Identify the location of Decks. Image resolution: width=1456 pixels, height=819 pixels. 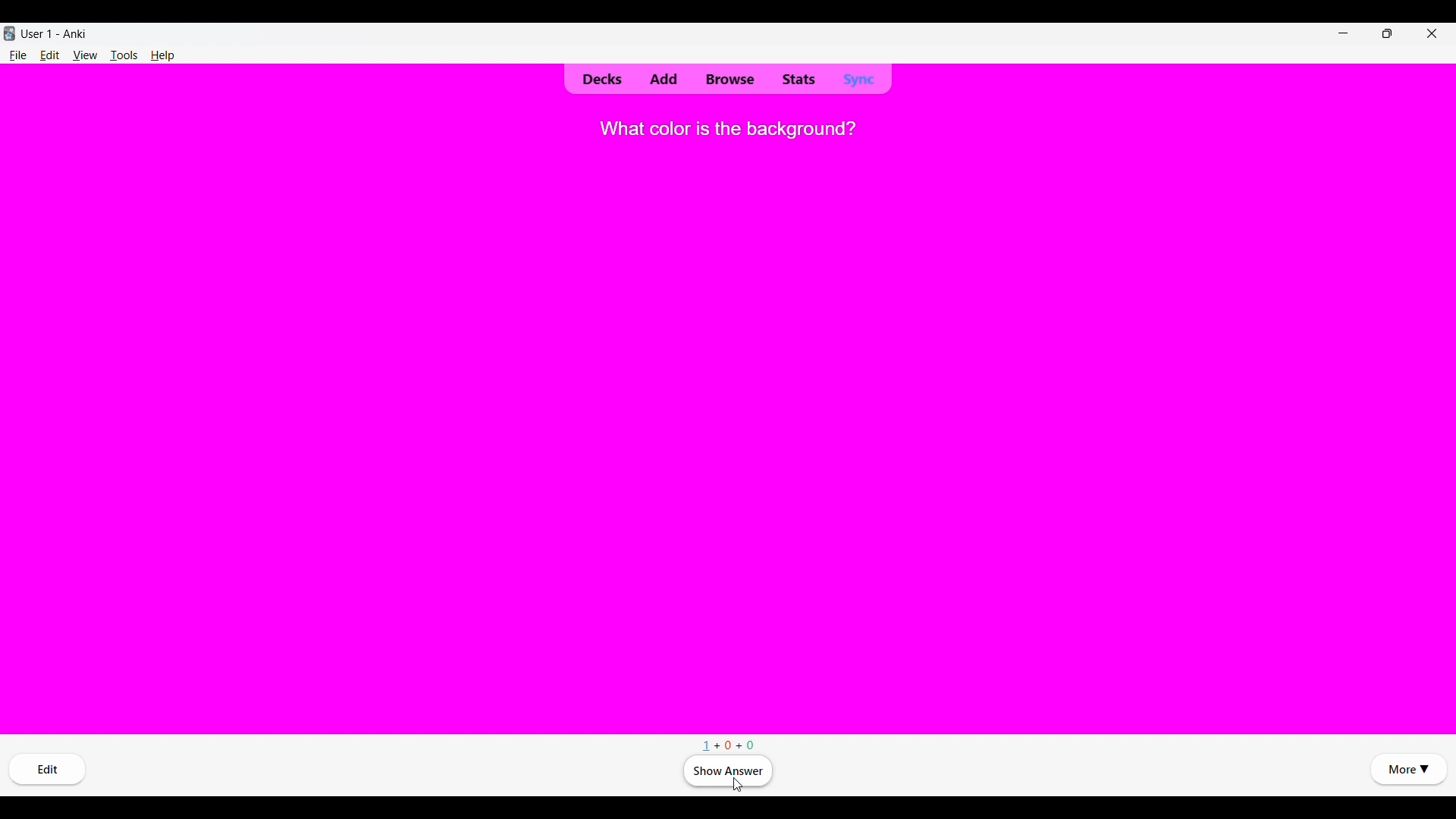
(598, 78).